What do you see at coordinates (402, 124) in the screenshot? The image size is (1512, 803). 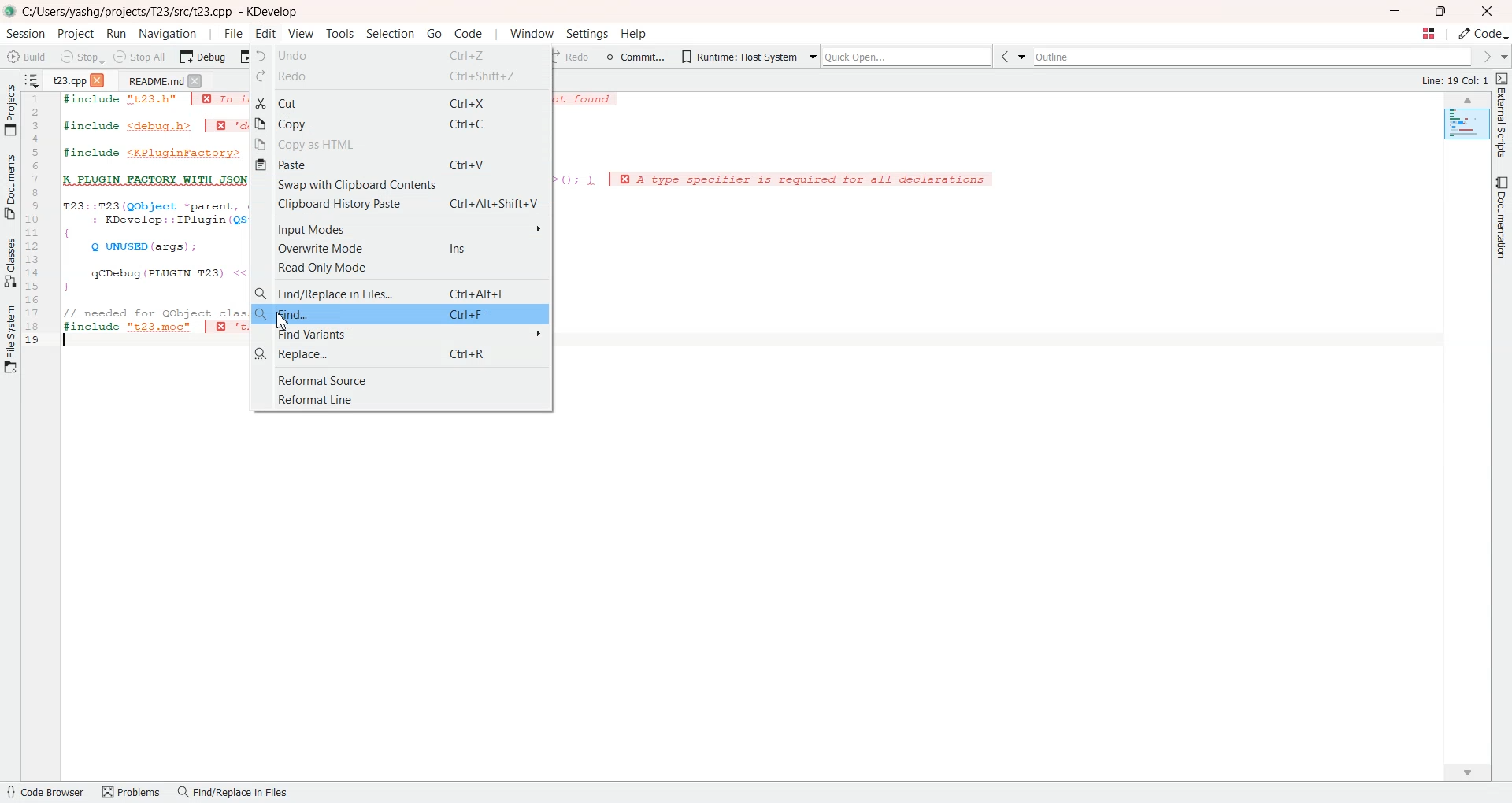 I see `Copy` at bounding box center [402, 124].